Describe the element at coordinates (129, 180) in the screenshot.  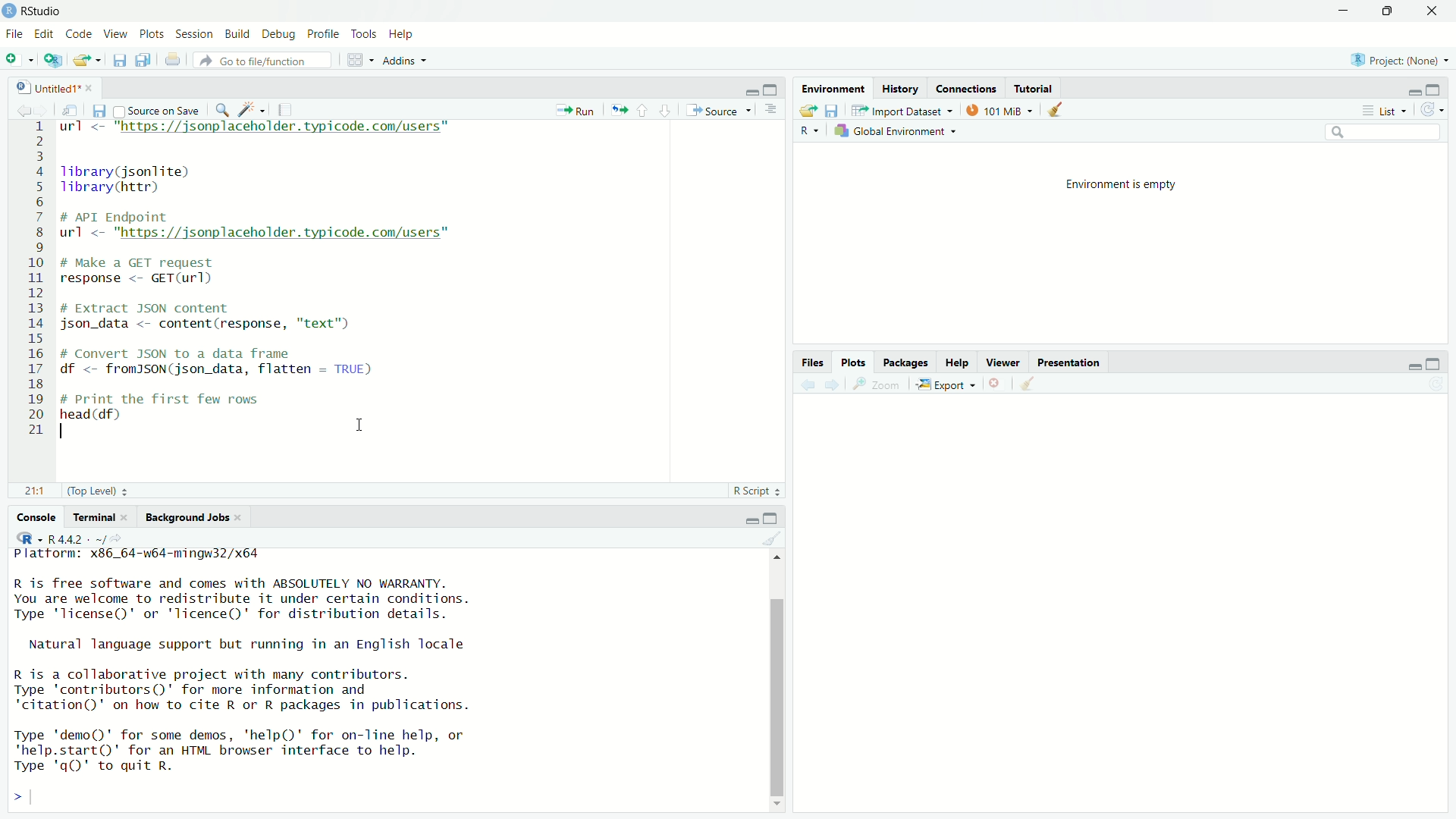
I see `Tibrary(jsonlite)
Tibrary(httr)` at that location.